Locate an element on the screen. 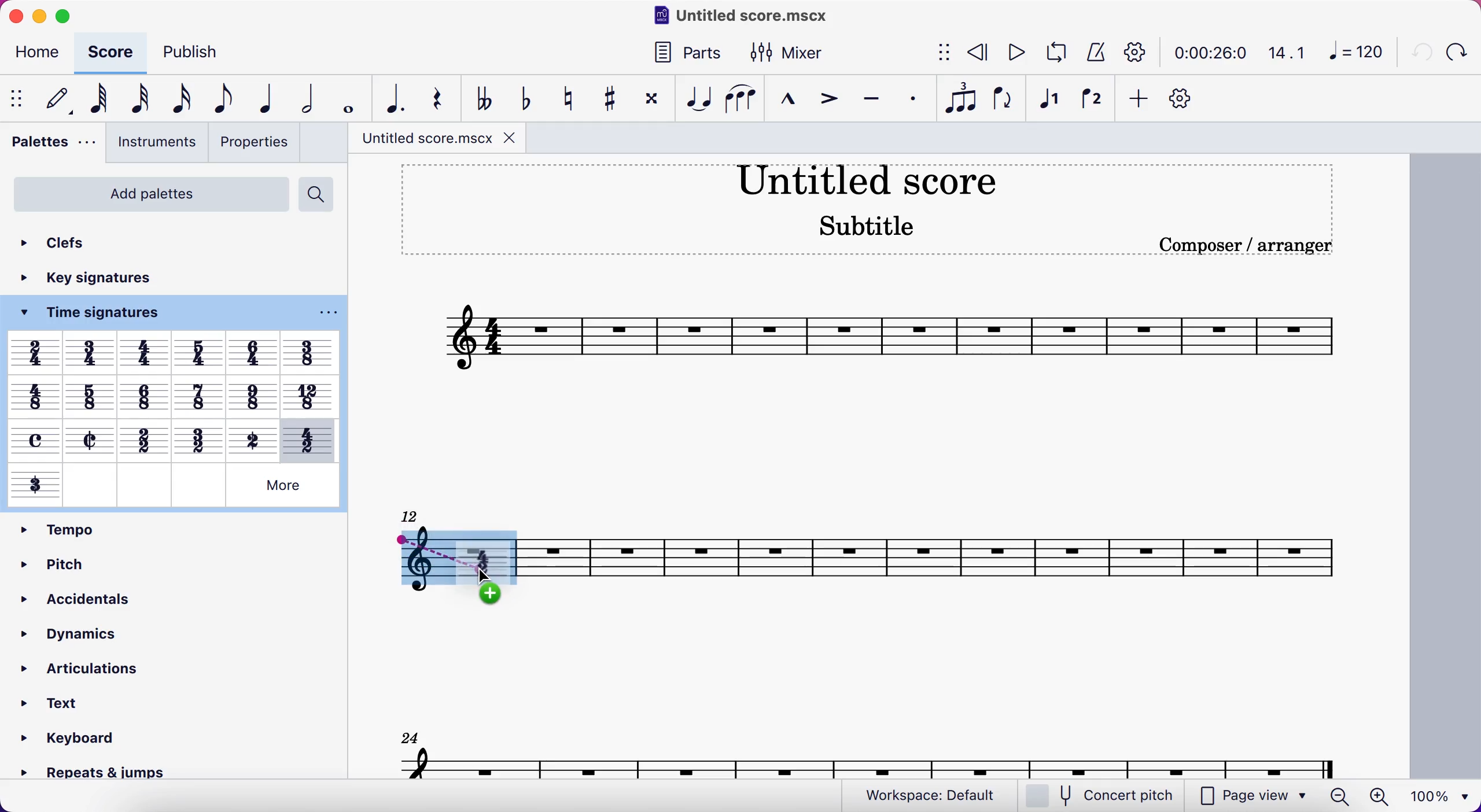 This screenshot has width=1481, height=812. marcato is located at coordinates (785, 96).